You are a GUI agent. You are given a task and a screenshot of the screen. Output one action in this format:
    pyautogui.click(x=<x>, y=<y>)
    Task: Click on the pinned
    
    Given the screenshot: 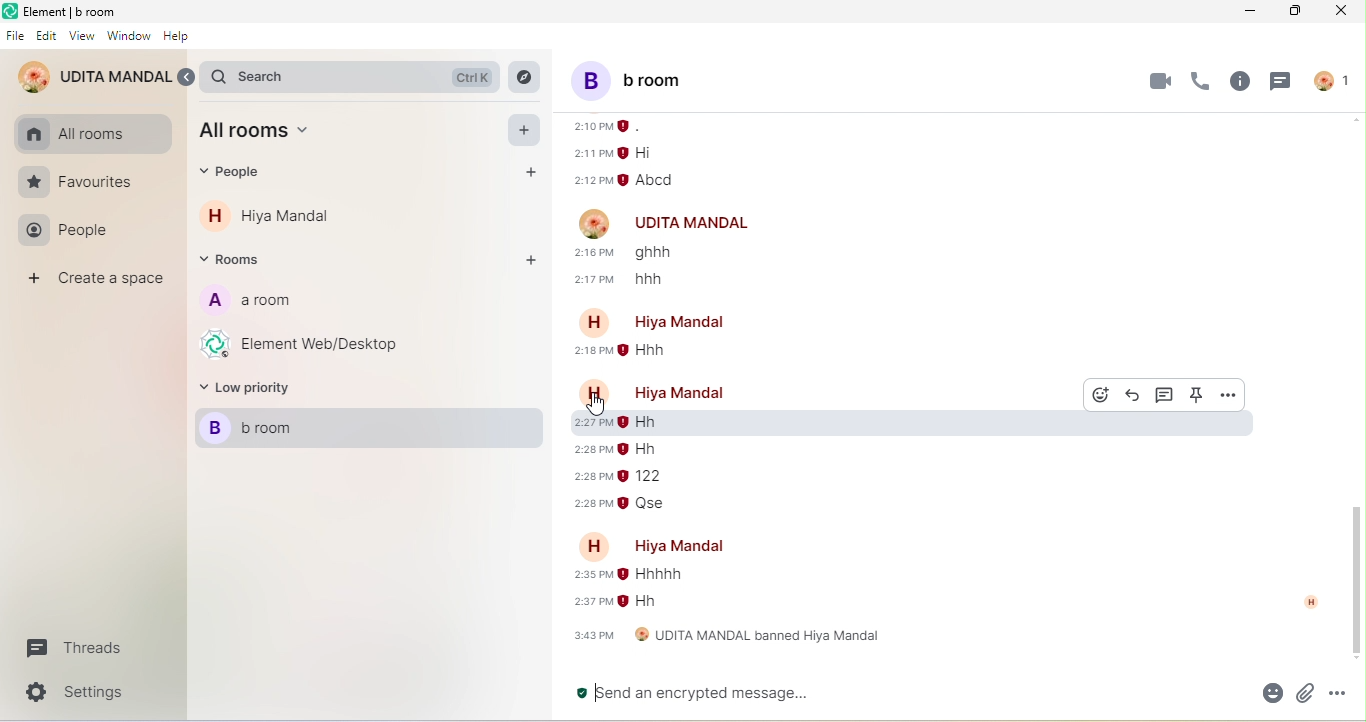 What is the action you would take?
    pyautogui.click(x=1197, y=395)
    